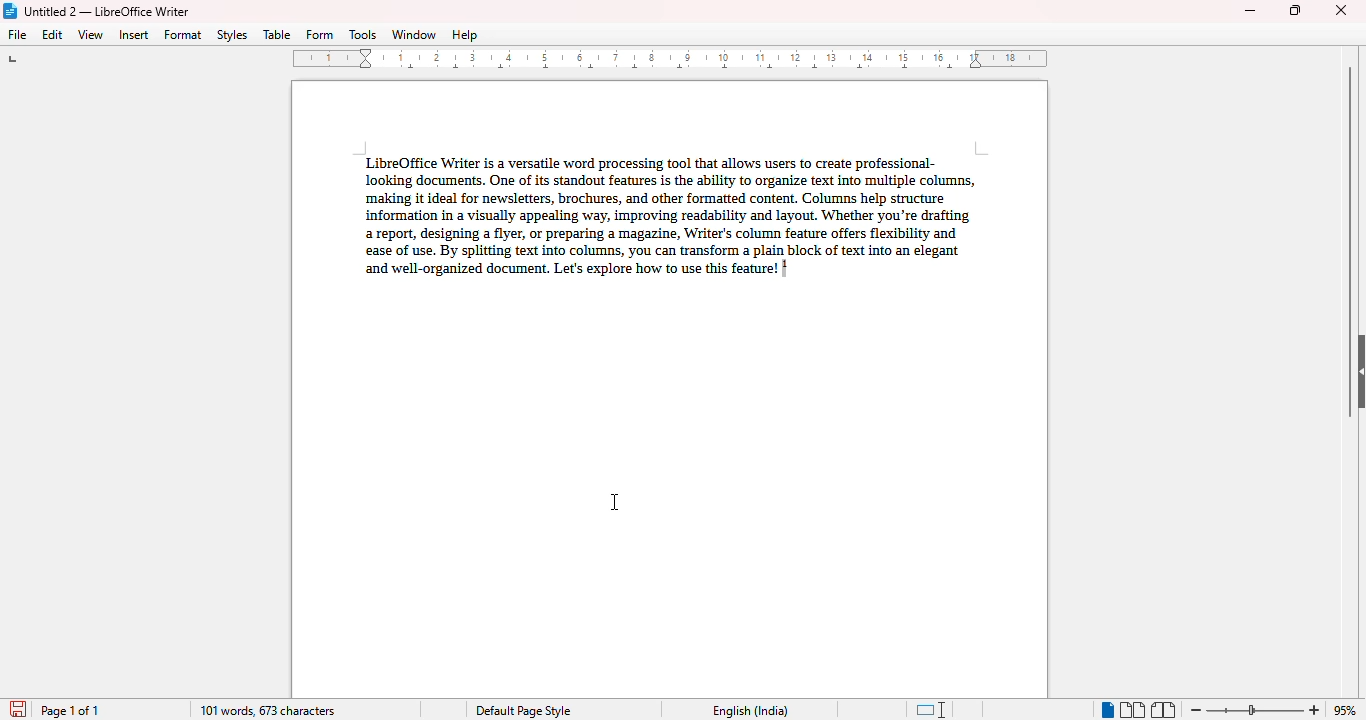 The height and width of the screenshot is (720, 1366). Describe the element at coordinates (11, 11) in the screenshot. I see `LibreOffice logo` at that location.